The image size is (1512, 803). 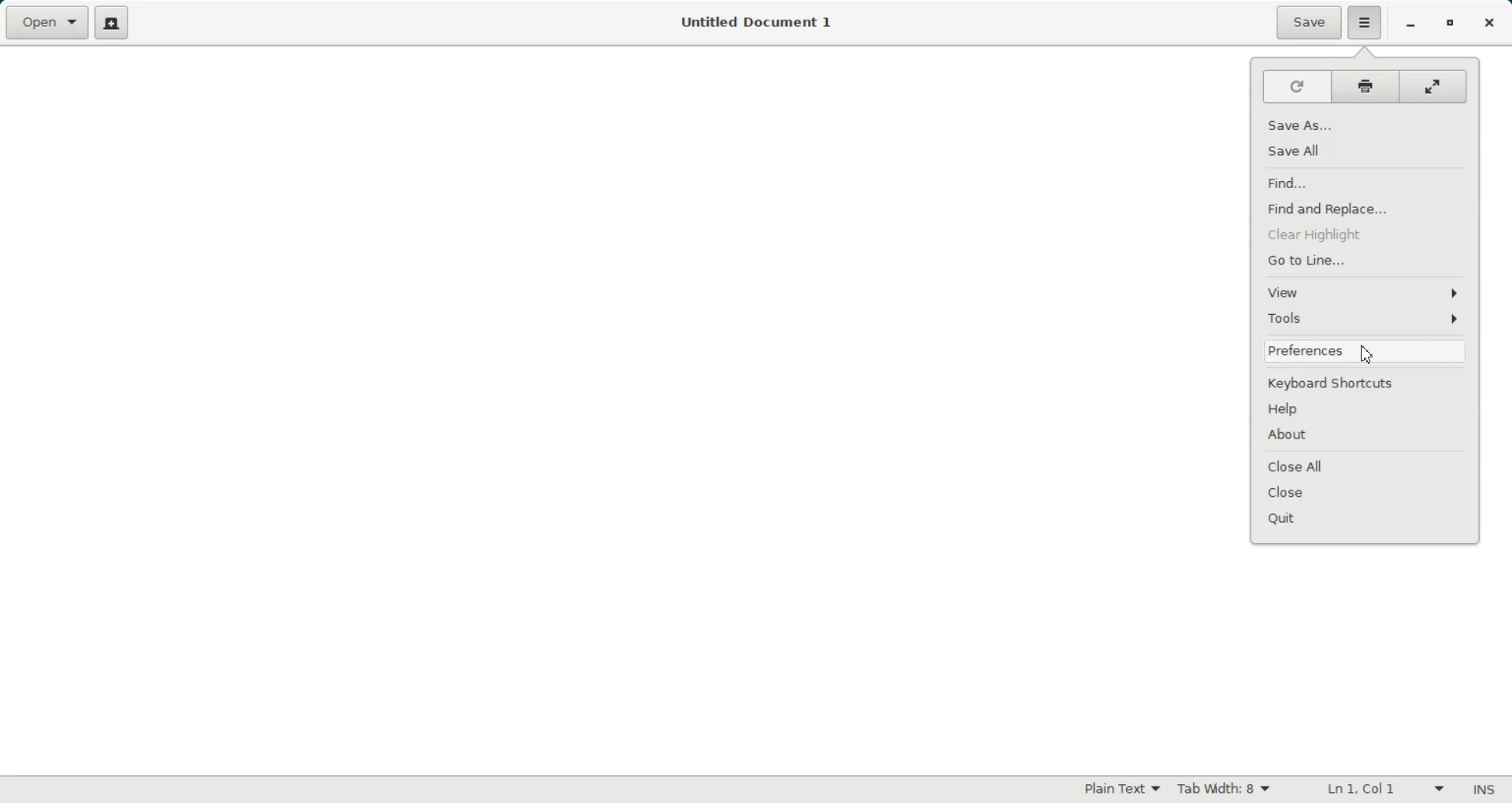 What do you see at coordinates (1224, 790) in the screenshot?
I see `Tab Width` at bounding box center [1224, 790].